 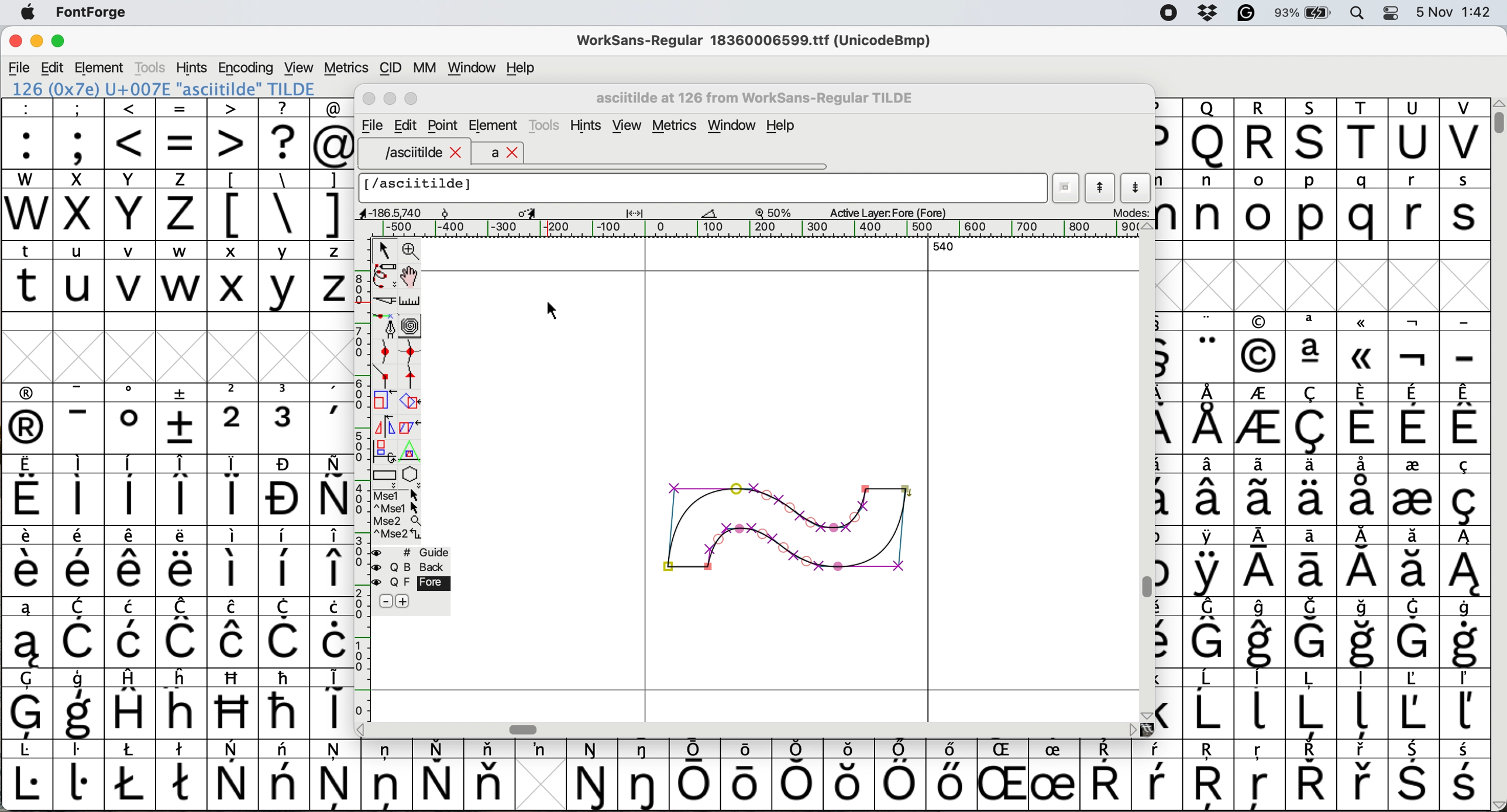 What do you see at coordinates (28, 704) in the screenshot?
I see `symbol` at bounding box center [28, 704].